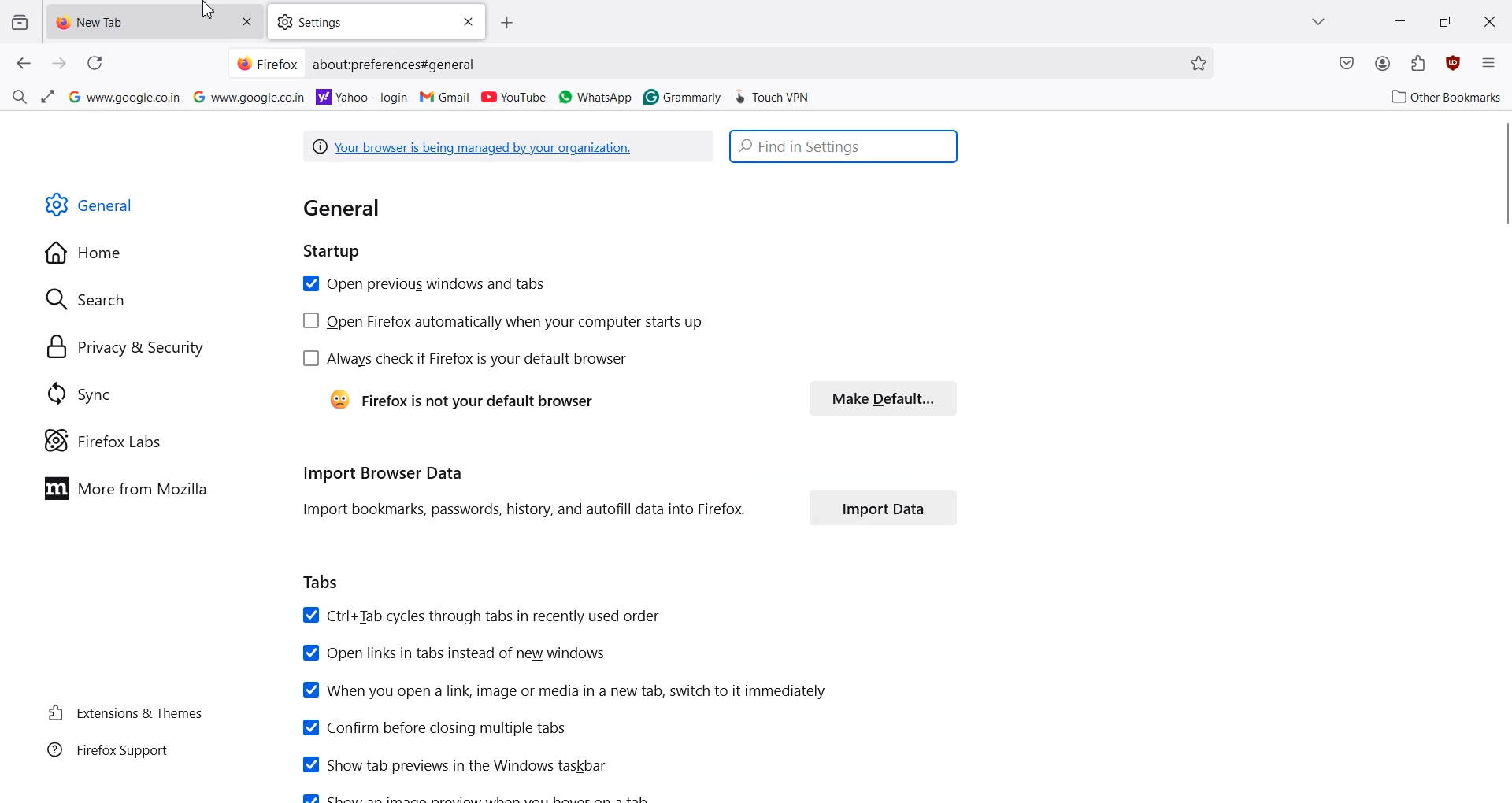 The height and width of the screenshot is (803, 1512). What do you see at coordinates (132, 488) in the screenshot?
I see `More from Mozilla` at bounding box center [132, 488].